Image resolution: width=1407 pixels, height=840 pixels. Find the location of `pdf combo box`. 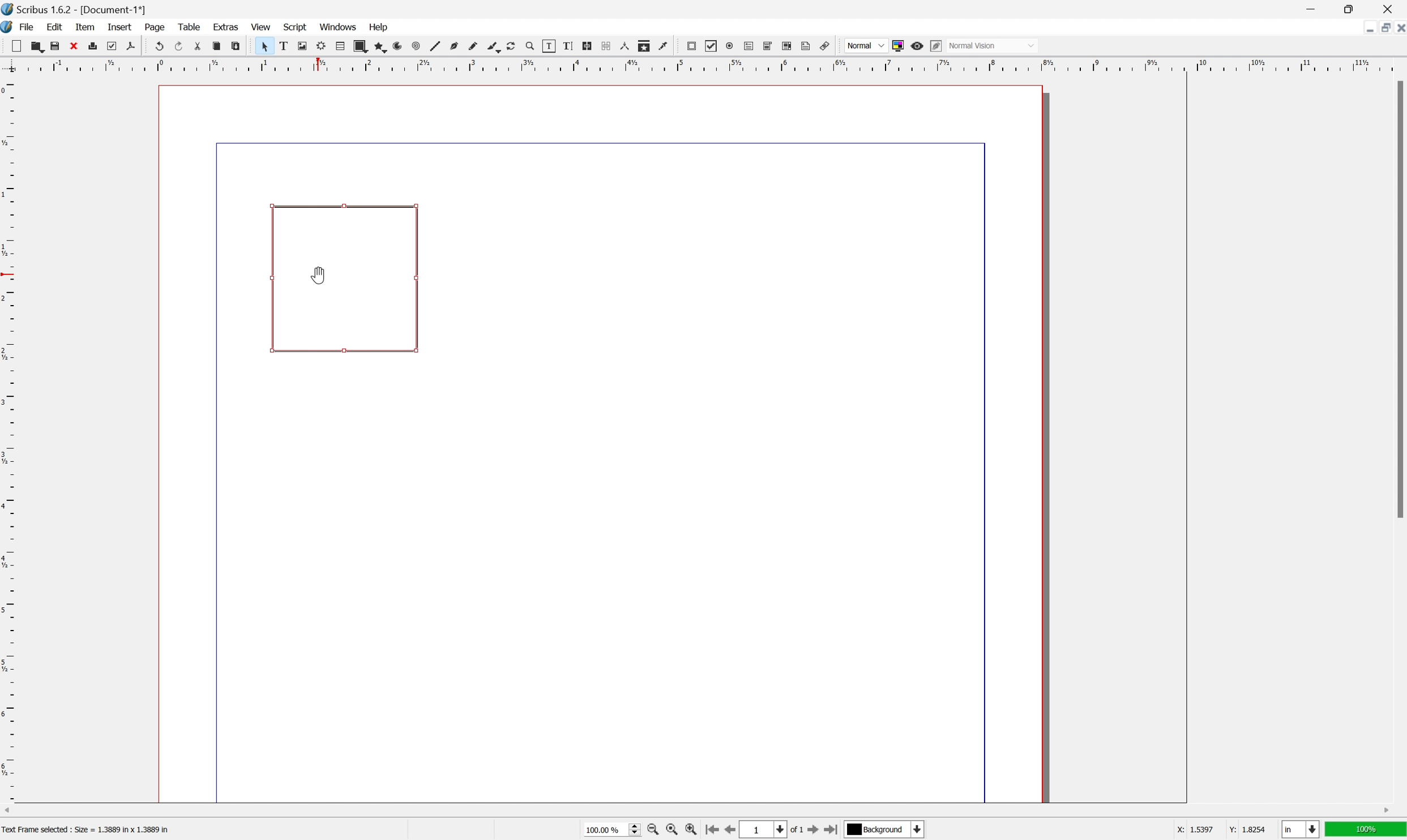

pdf combo box is located at coordinates (767, 45).